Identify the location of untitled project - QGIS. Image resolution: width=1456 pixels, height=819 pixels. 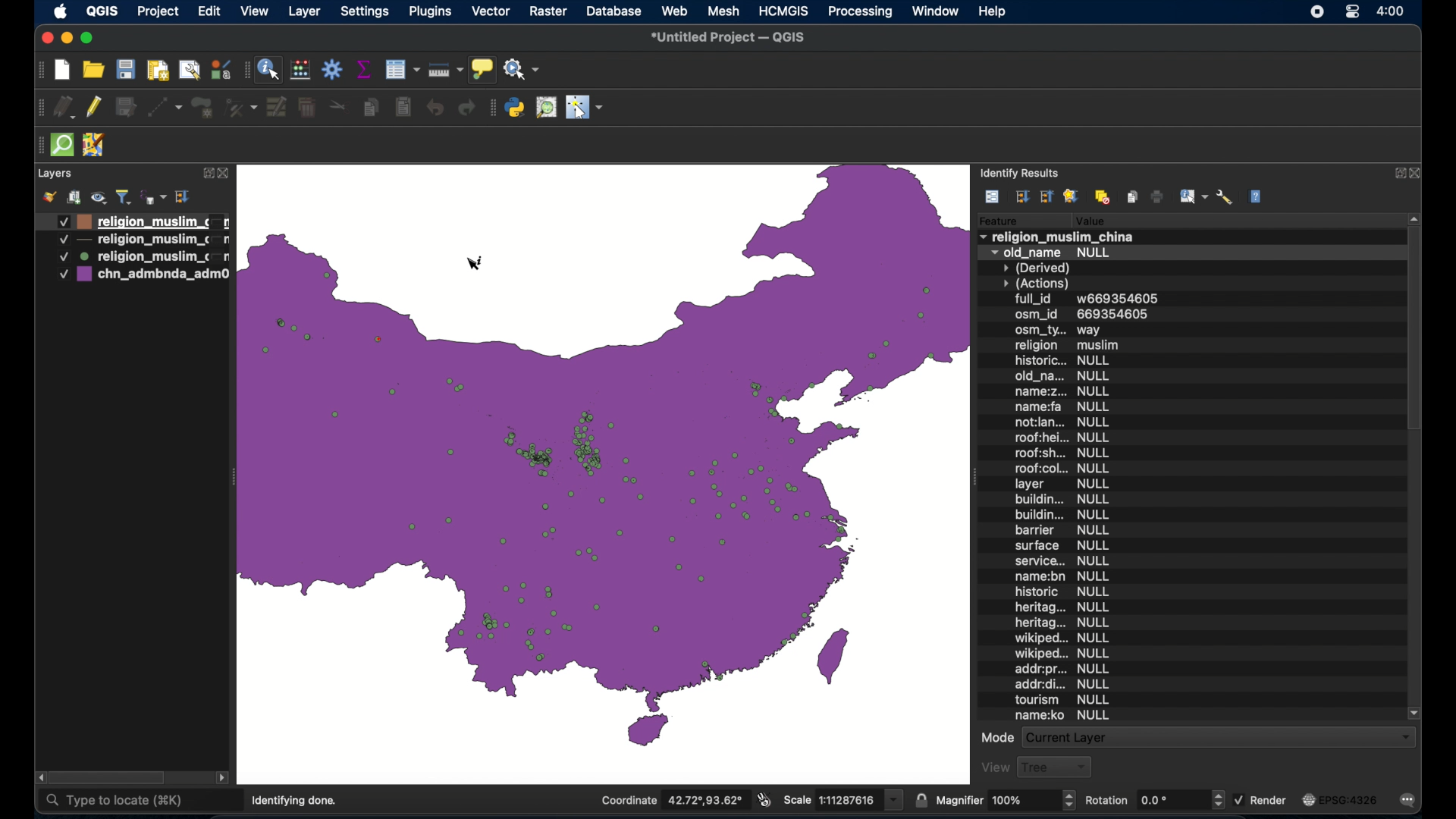
(727, 39).